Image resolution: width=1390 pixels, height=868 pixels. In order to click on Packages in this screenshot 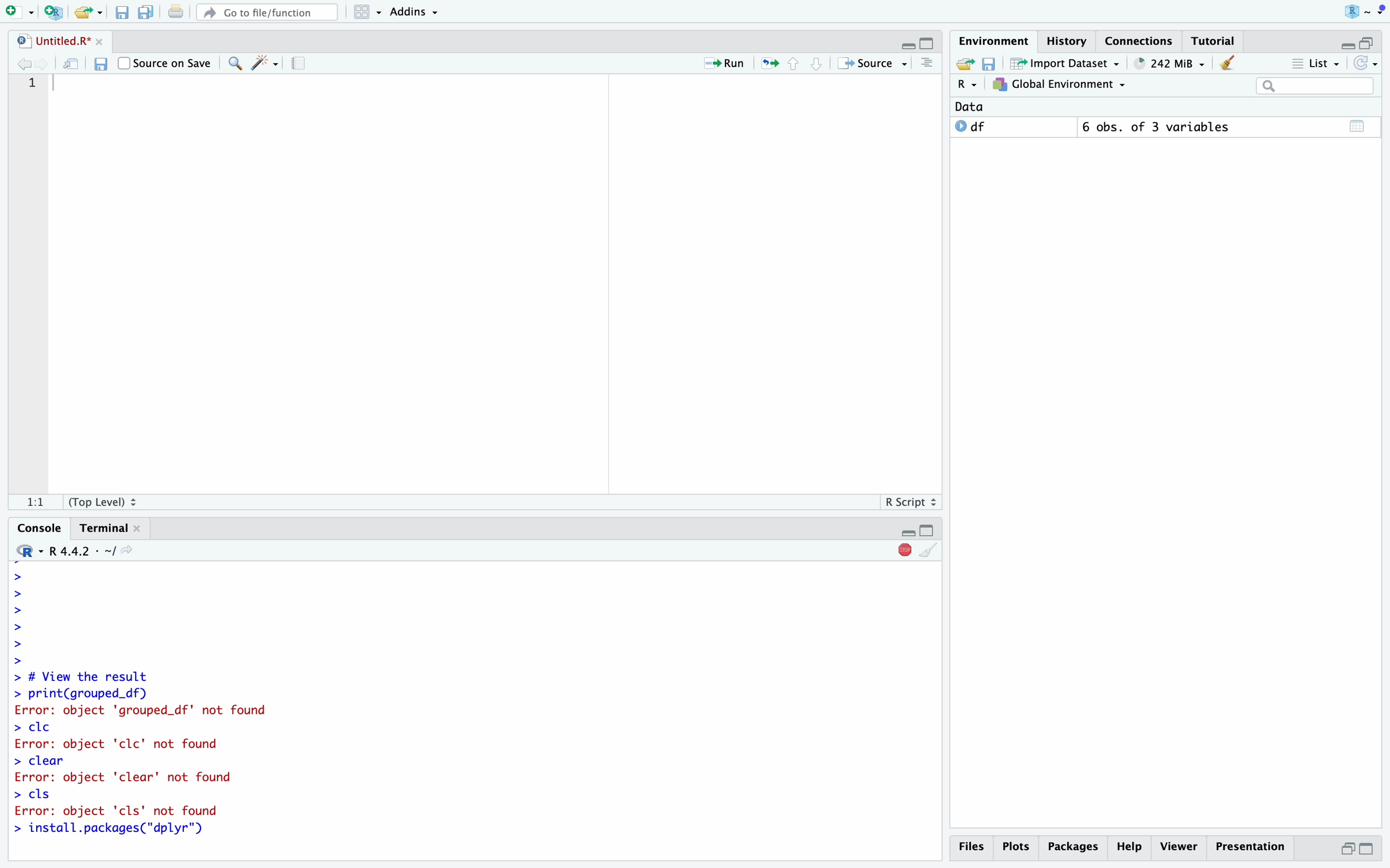, I will do `click(1074, 847)`.